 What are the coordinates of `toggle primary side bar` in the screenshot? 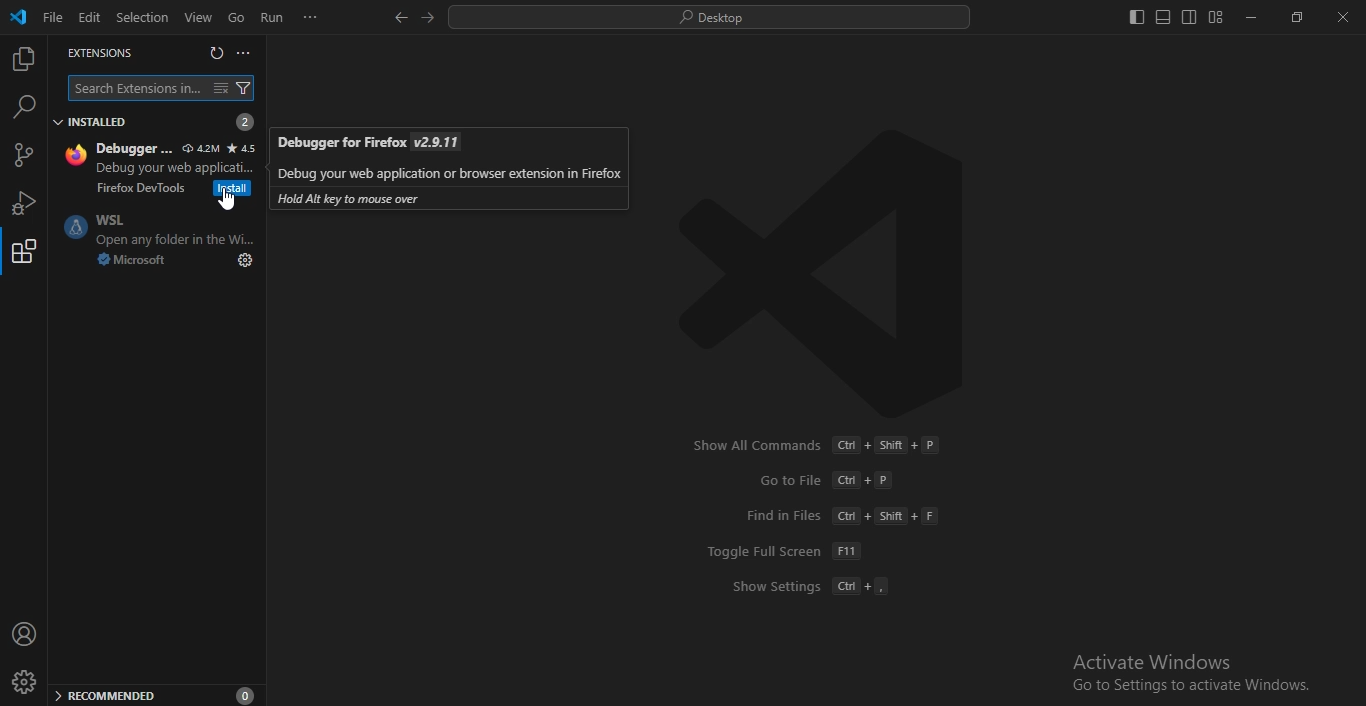 It's located at (1134, 18).